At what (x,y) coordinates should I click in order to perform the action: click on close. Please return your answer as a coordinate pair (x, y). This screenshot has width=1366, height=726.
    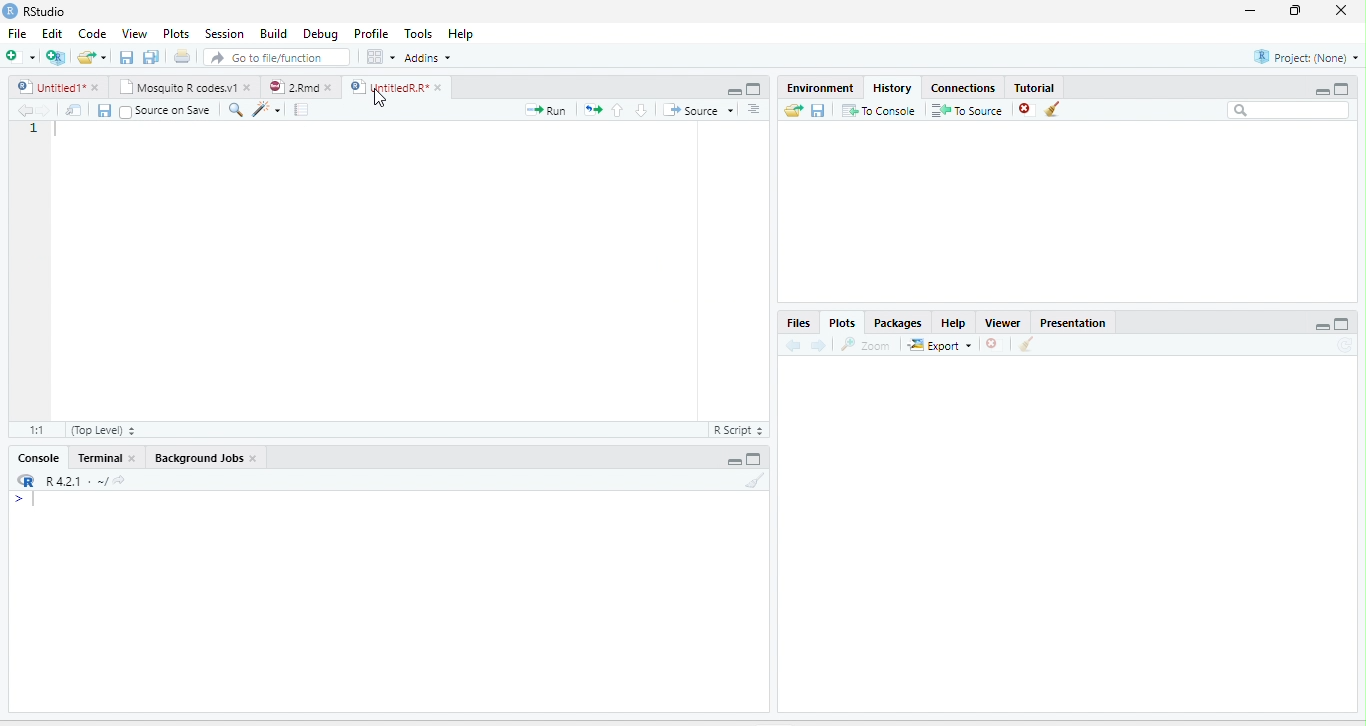
    Looking at the image, I should click on (438, 87).